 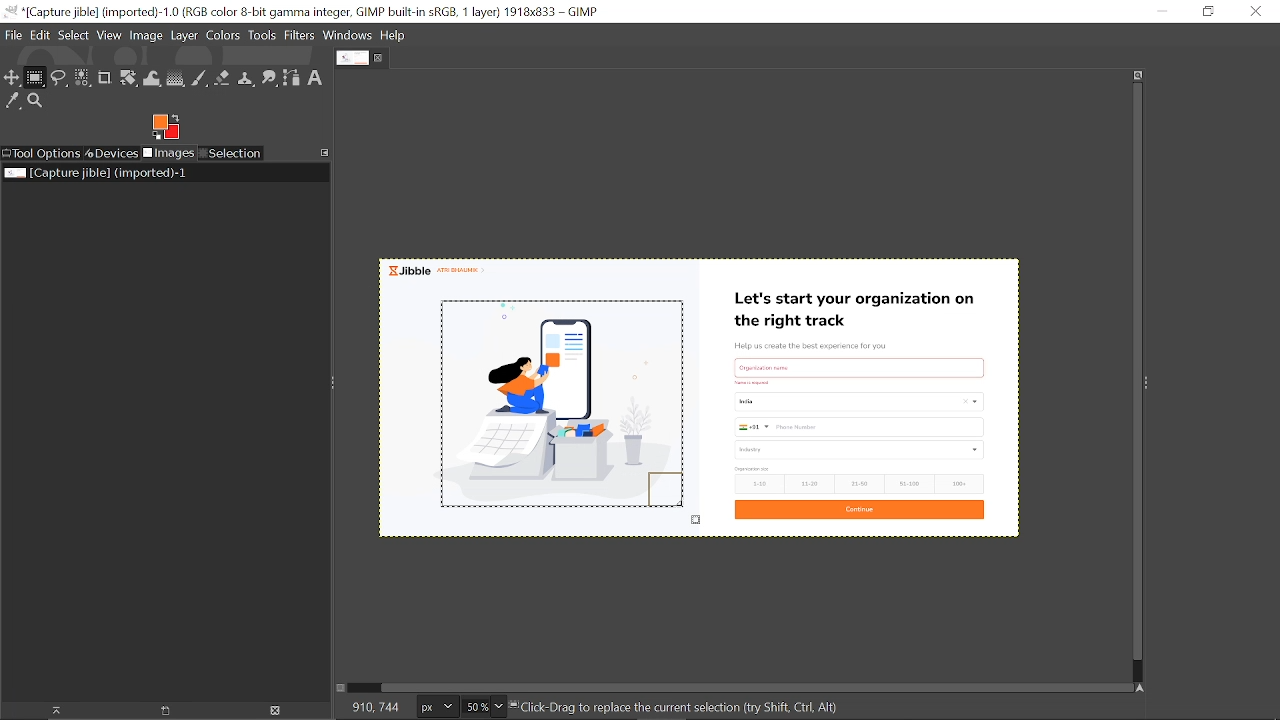 What do you see at coordinates (860, 483) in the screenshot?
I see `21-50` at bounding box center [860, 483].